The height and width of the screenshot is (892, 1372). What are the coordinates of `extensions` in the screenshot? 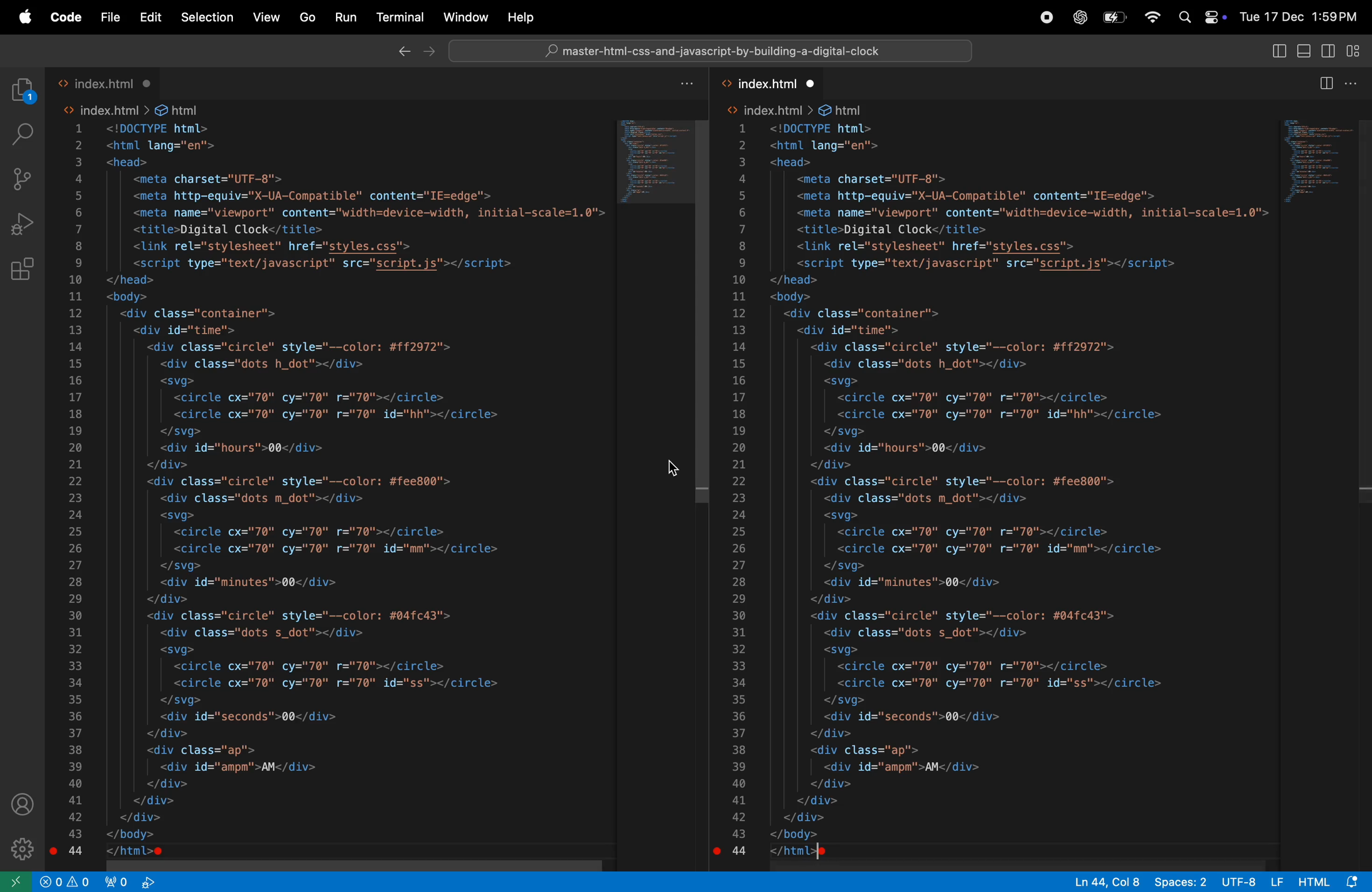 It's located at (24, 270).